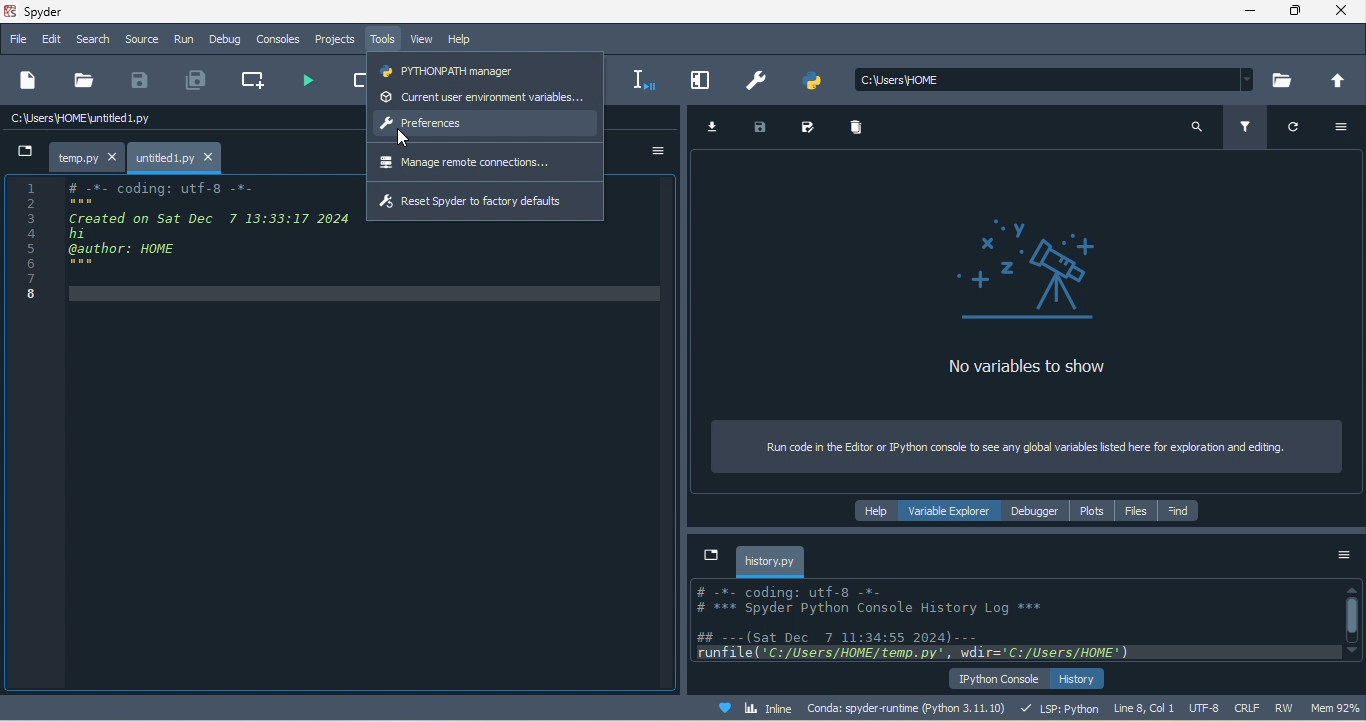 The image size is (1366, 722). Describe the element at coordinates (1055, 80) in the screenshot. I see `c\users\home` at that location.